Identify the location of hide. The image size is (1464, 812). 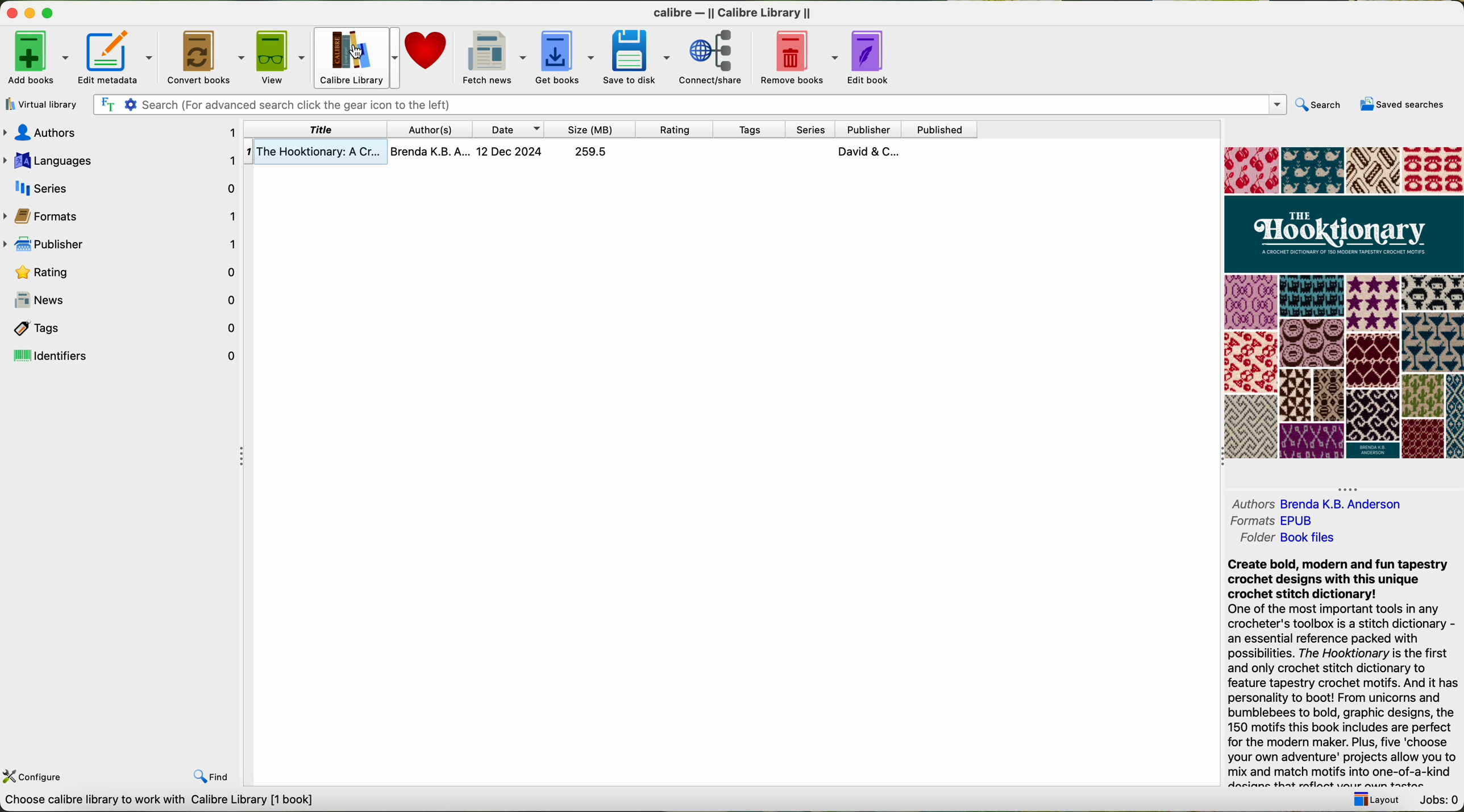
(241, 454).